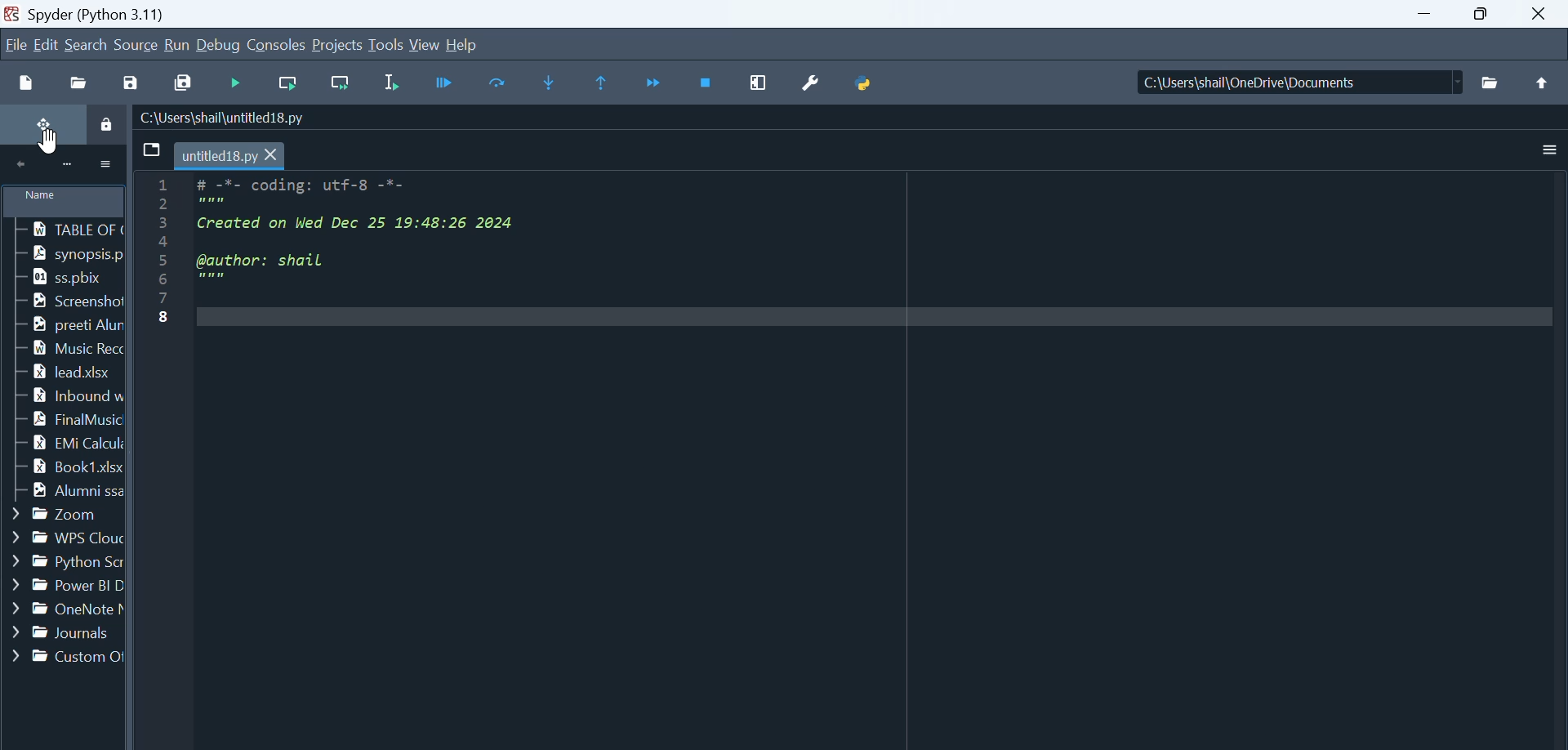  I want to click on New, so click(26, 82).